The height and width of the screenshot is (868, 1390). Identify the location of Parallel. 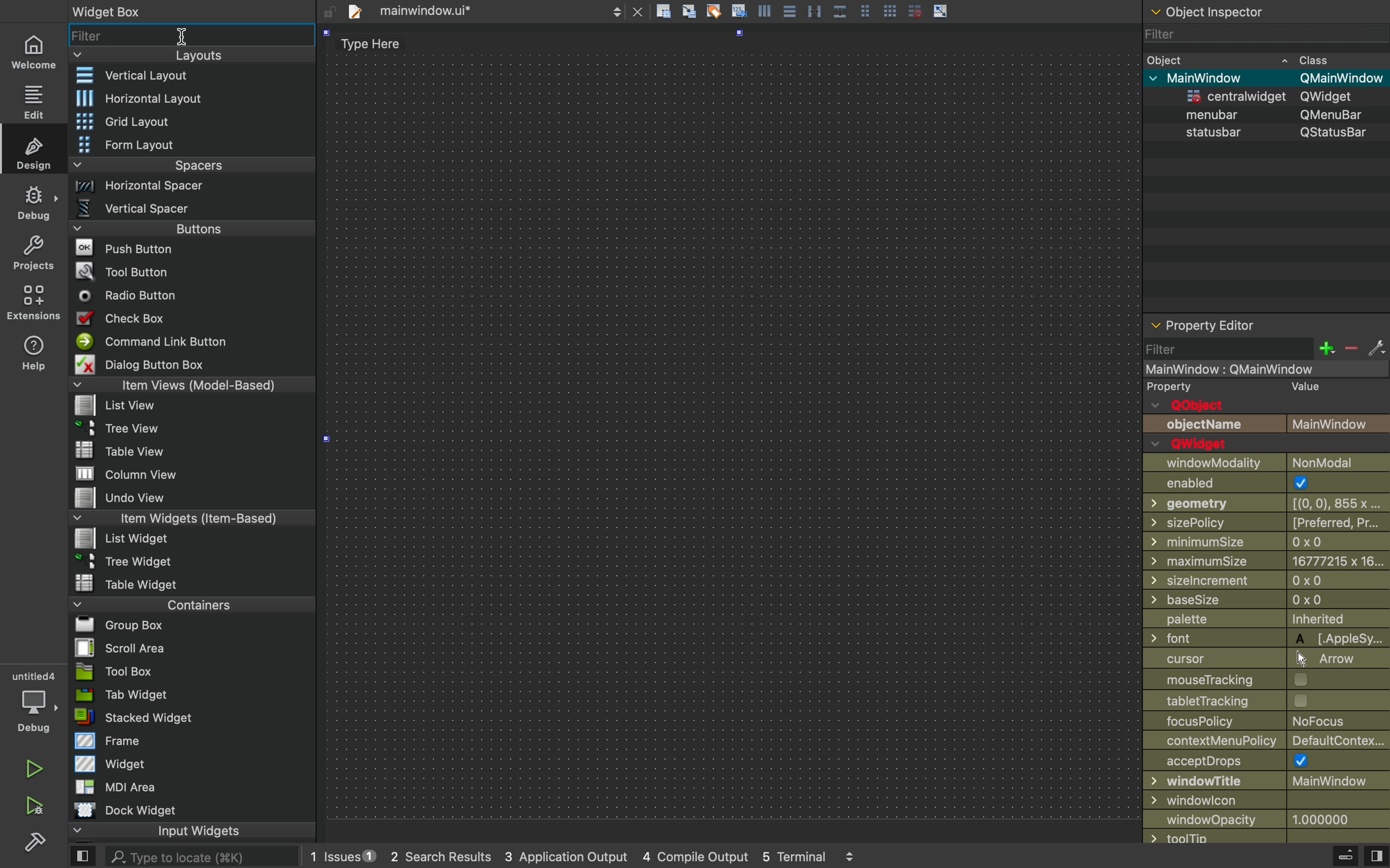
(817, 11).